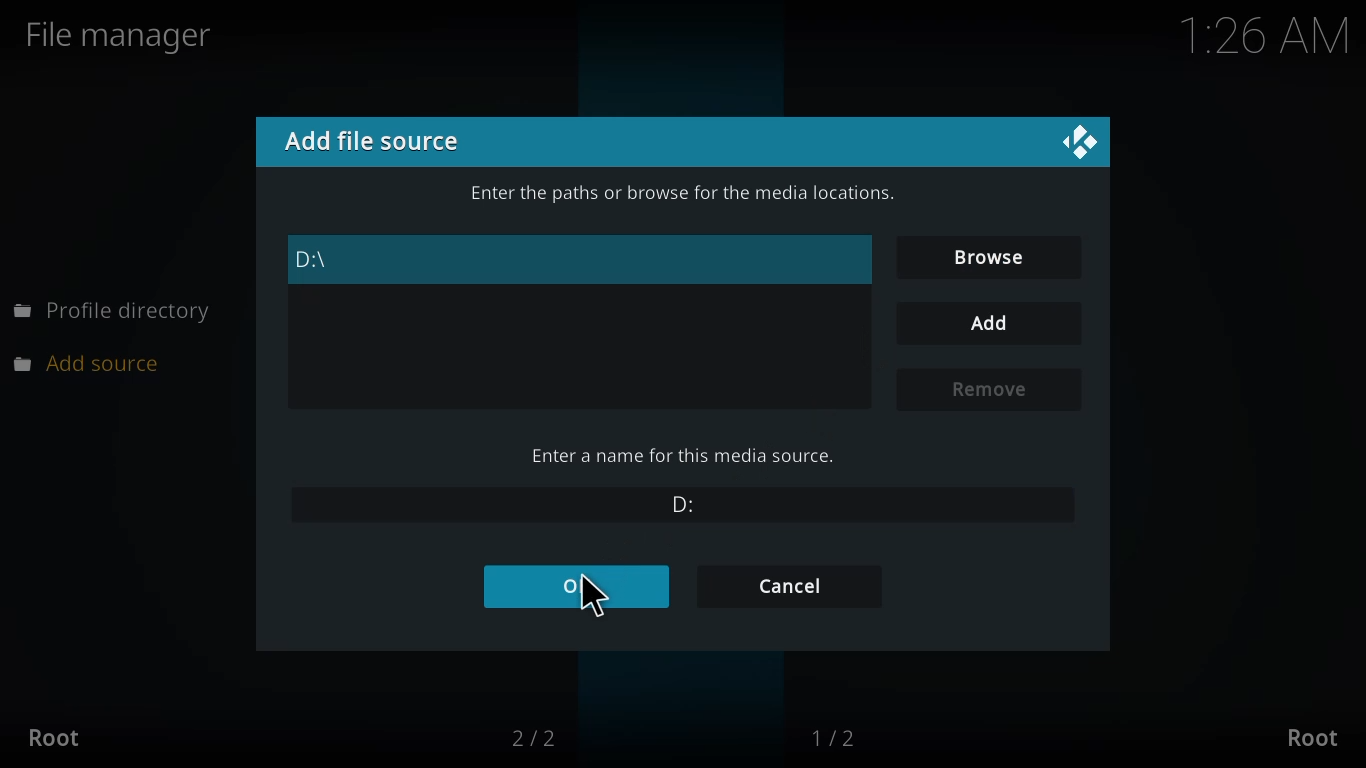 The width and height of the screenshot is (1366, 768). What do you see at coordinates (133, 34) in the screenshot?
I see `File manager` at bounding box center [133, 34].